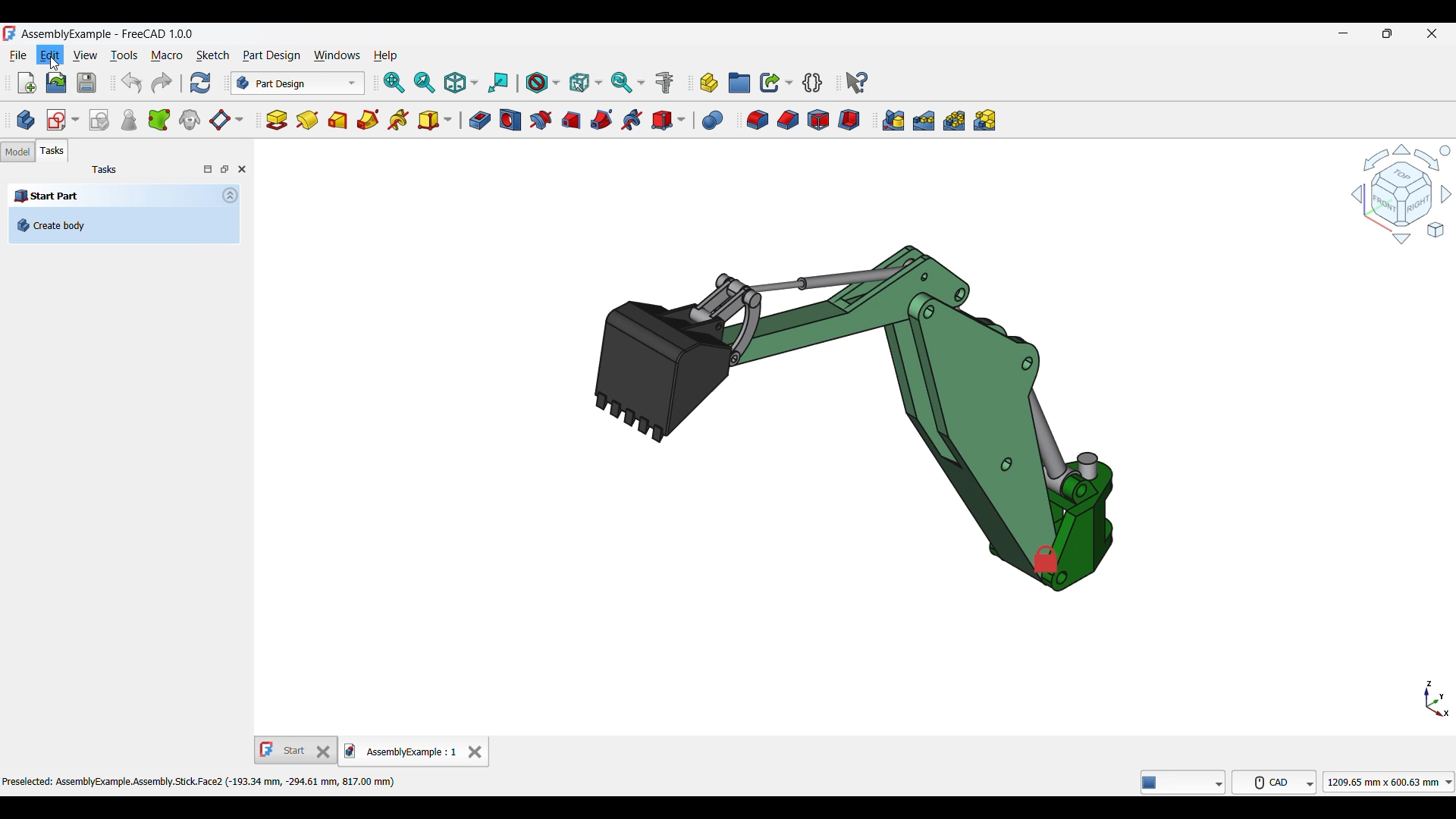 The height and width of the screenshot is (819, 1456). Describe the element at coordinates (475, 752) in the screenshot. I see `Close tab` at that location.